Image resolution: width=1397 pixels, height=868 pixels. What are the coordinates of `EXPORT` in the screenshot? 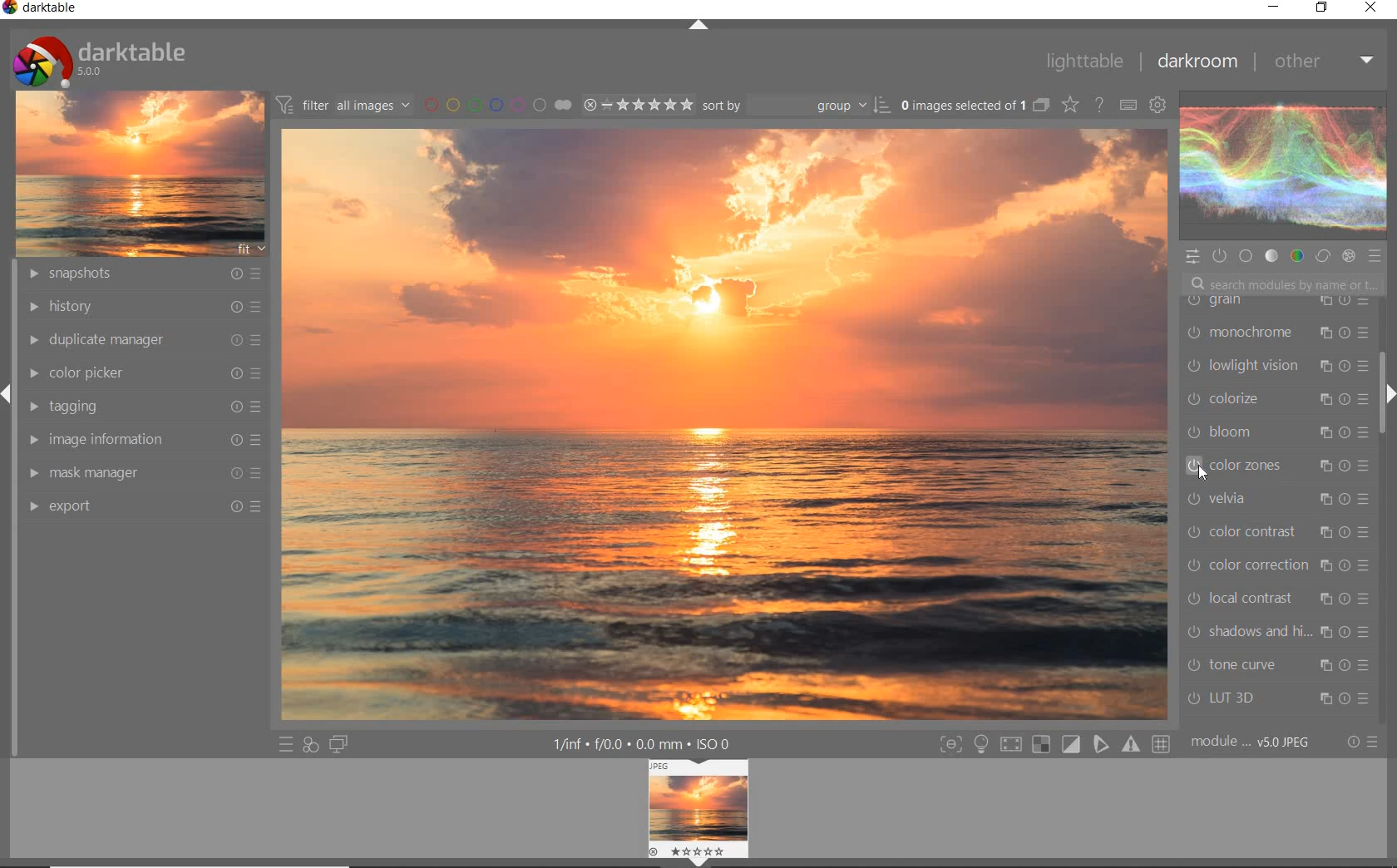 It's located at (146, 505).